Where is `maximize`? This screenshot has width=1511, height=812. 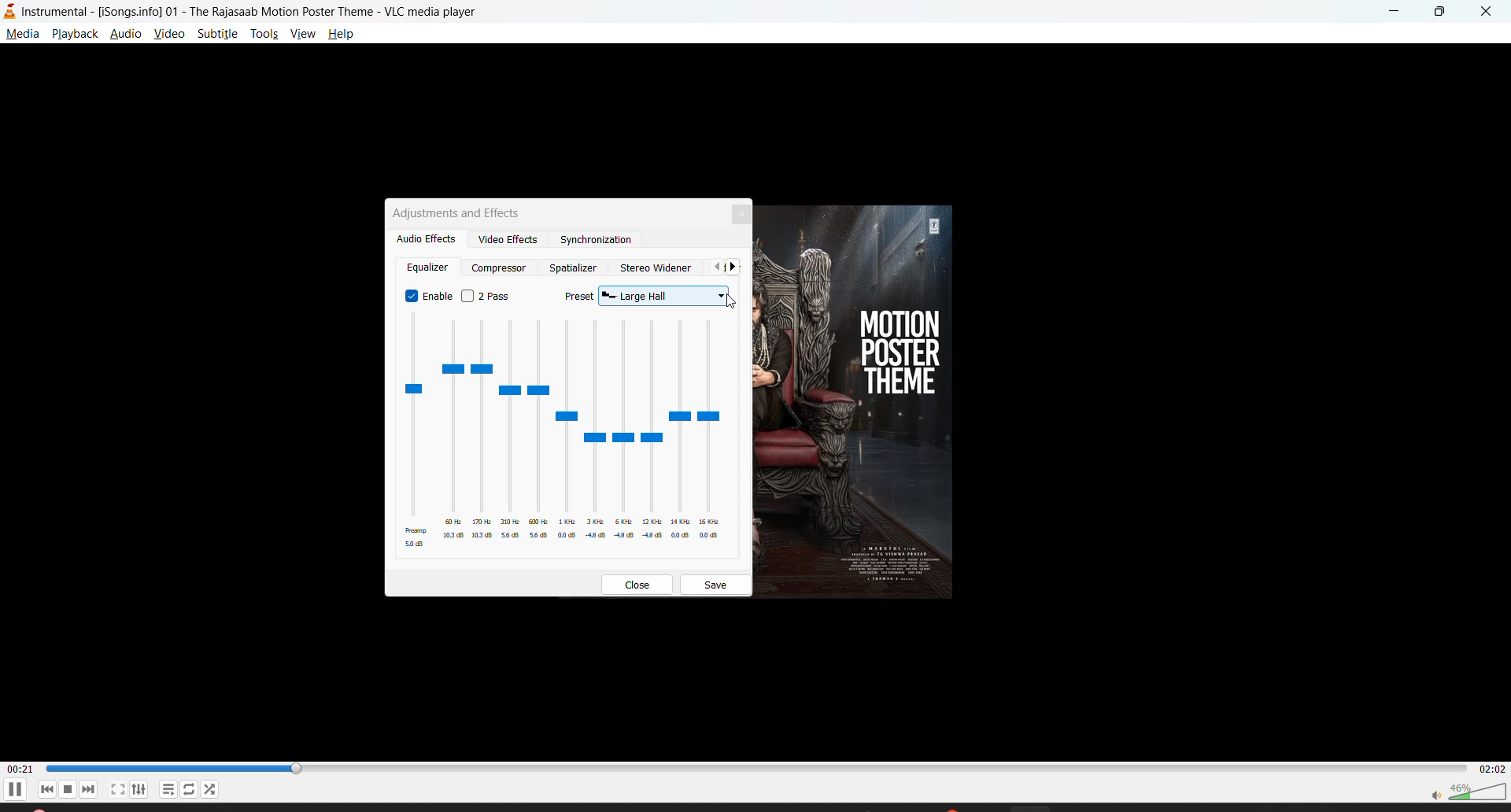
maximize is located at coordinates (1444, 13).